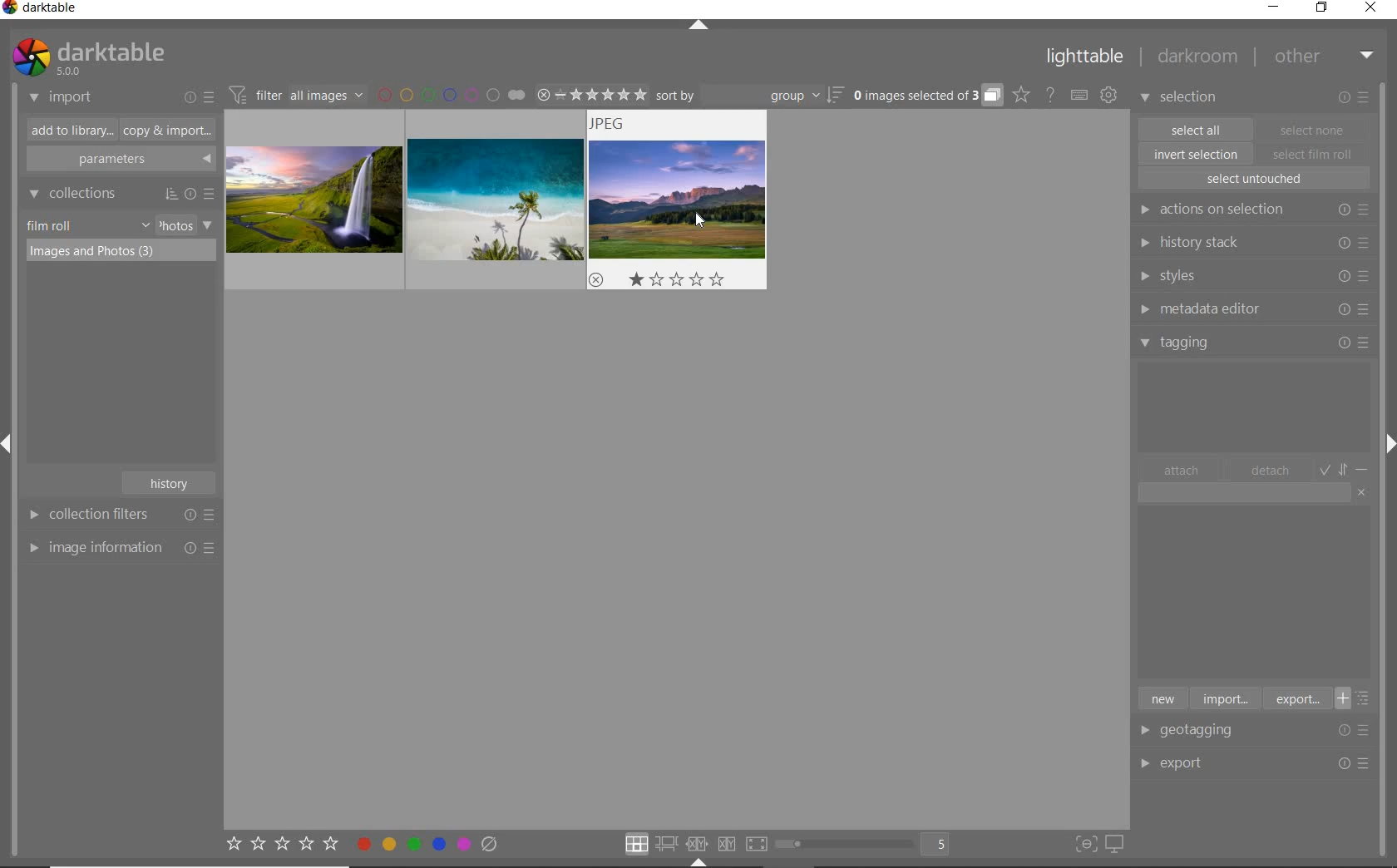  I want to click on select film roll, so click(1313, 152).